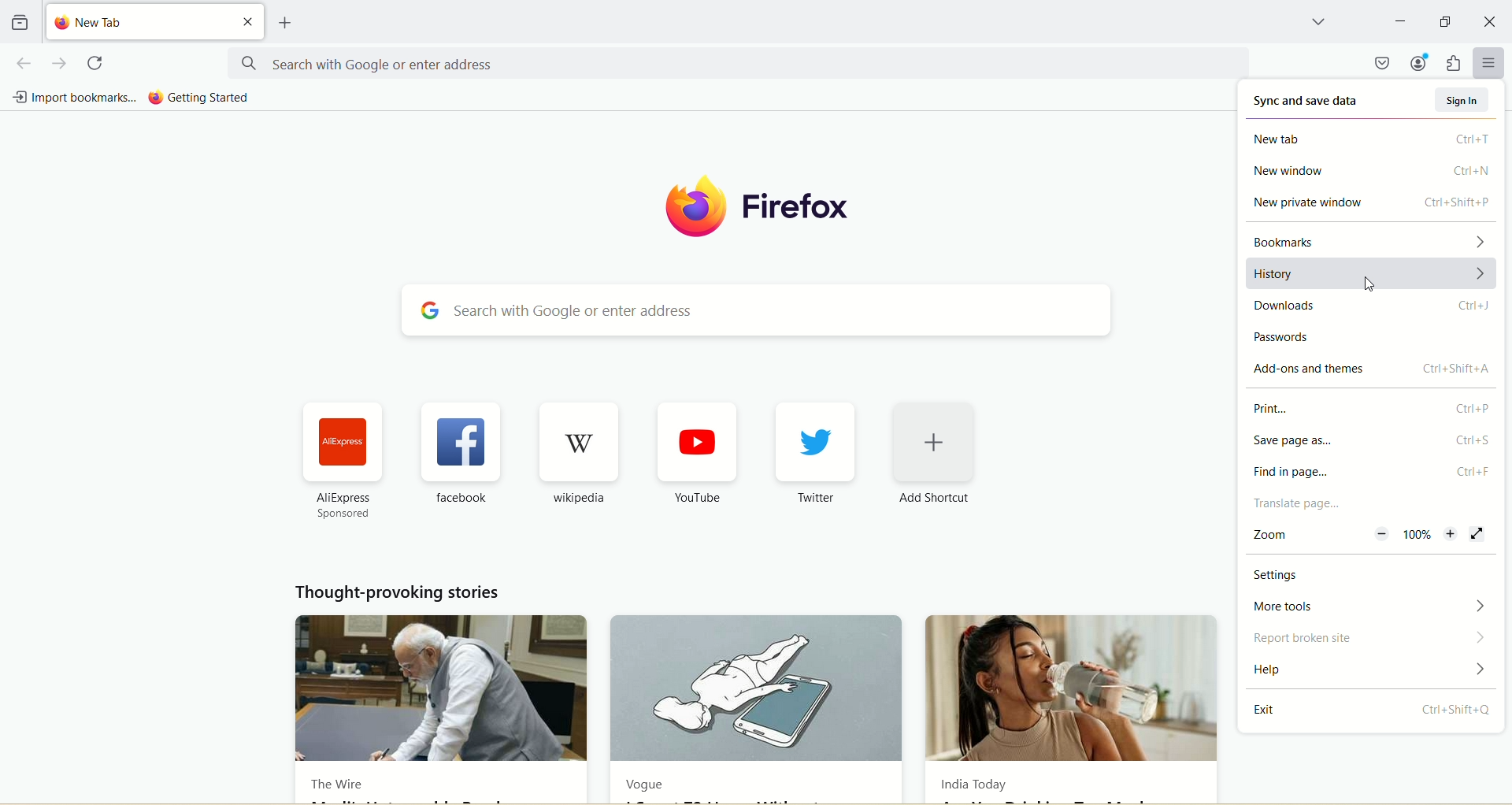  I want to click on Twitter, so click(814, 498).